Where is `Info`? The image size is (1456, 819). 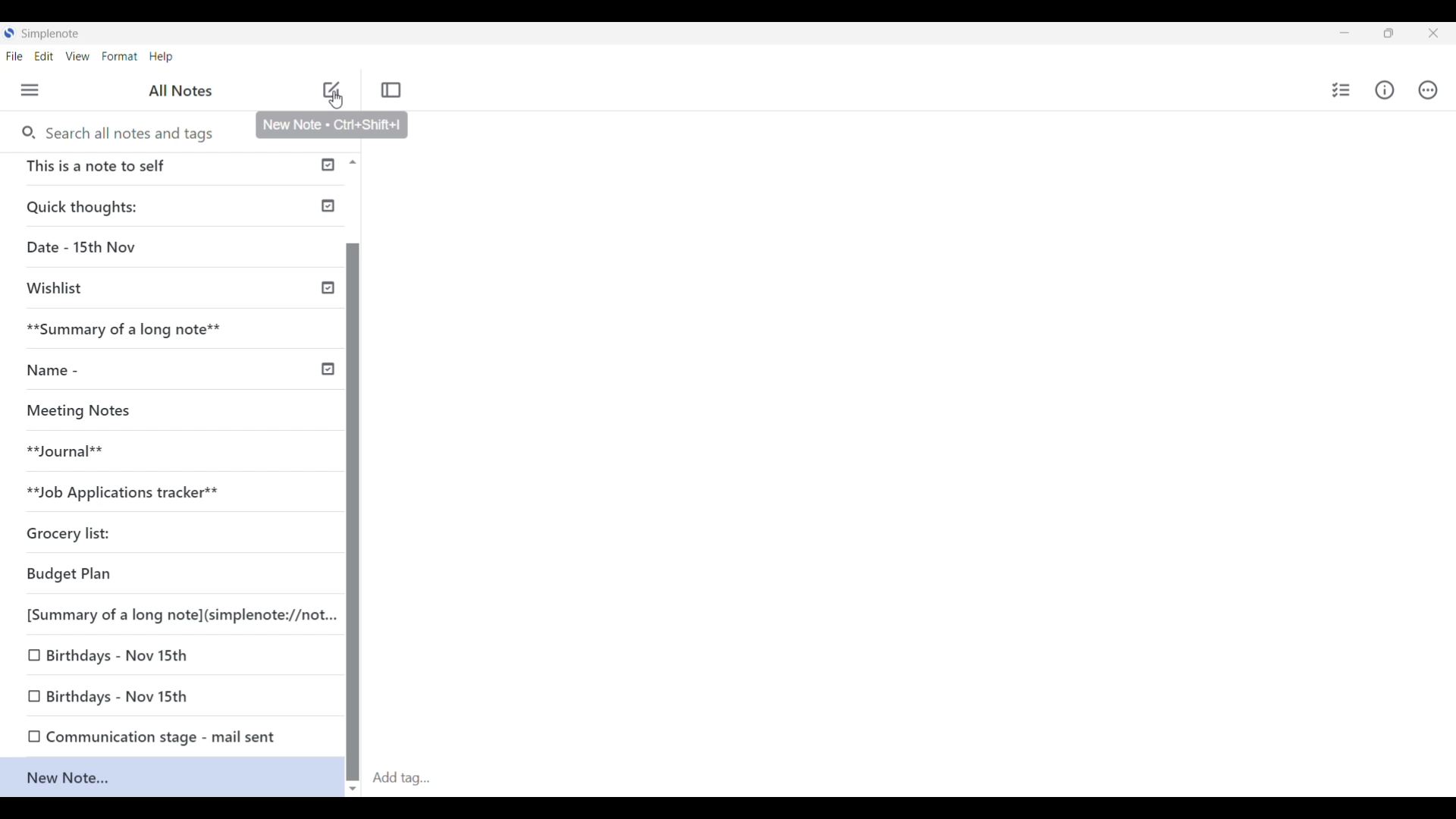 Info is located at coordinates (1385, 90).